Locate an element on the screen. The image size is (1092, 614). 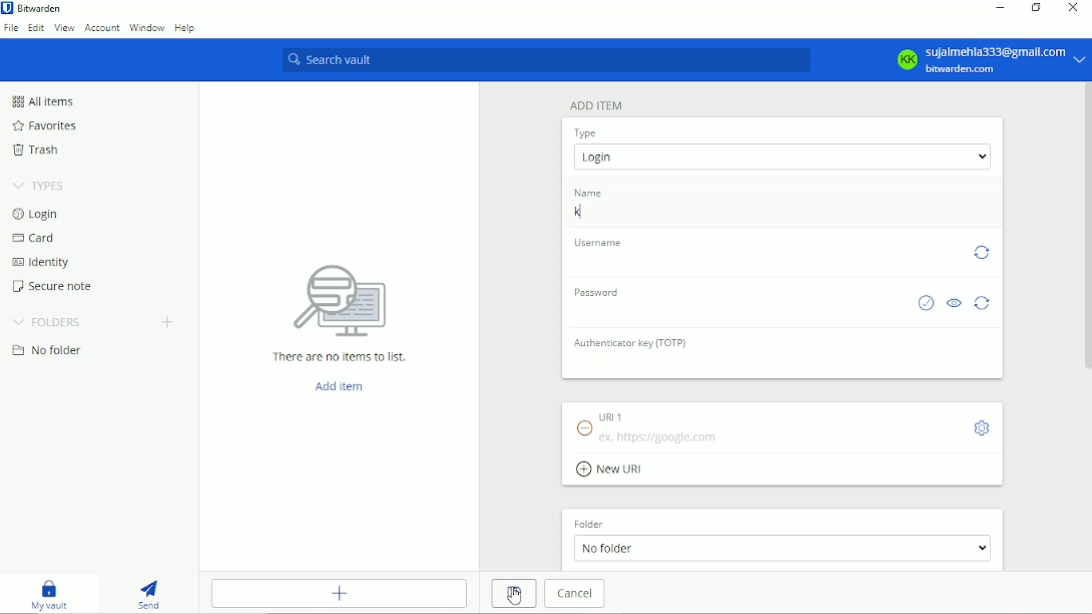
Help is located at coordinates (187, 28).